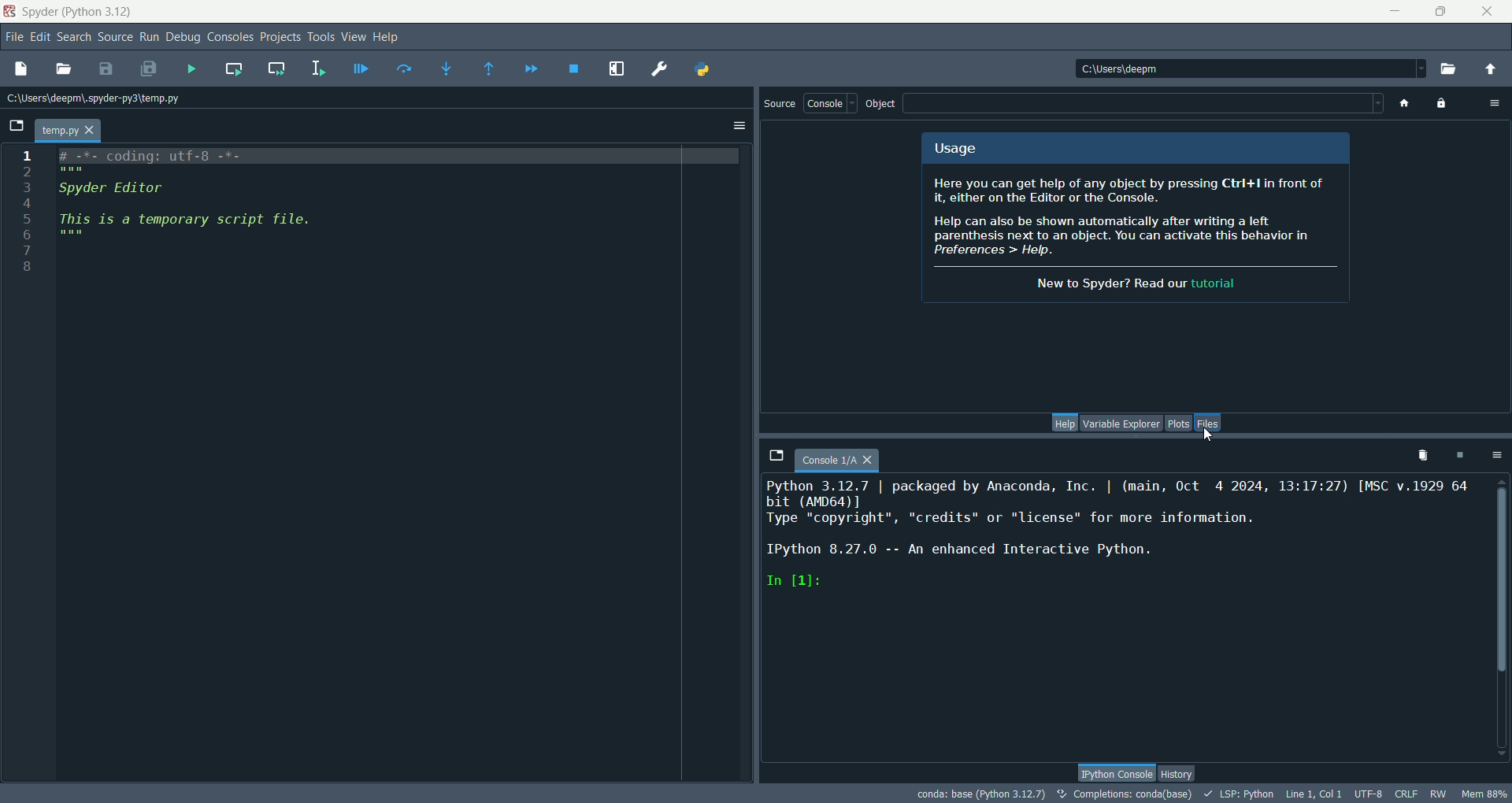  What do you see at coordinates (1241, 794) in the screenshot?
I see `LSP:PYTHON` at bounding box center [1241, 794].